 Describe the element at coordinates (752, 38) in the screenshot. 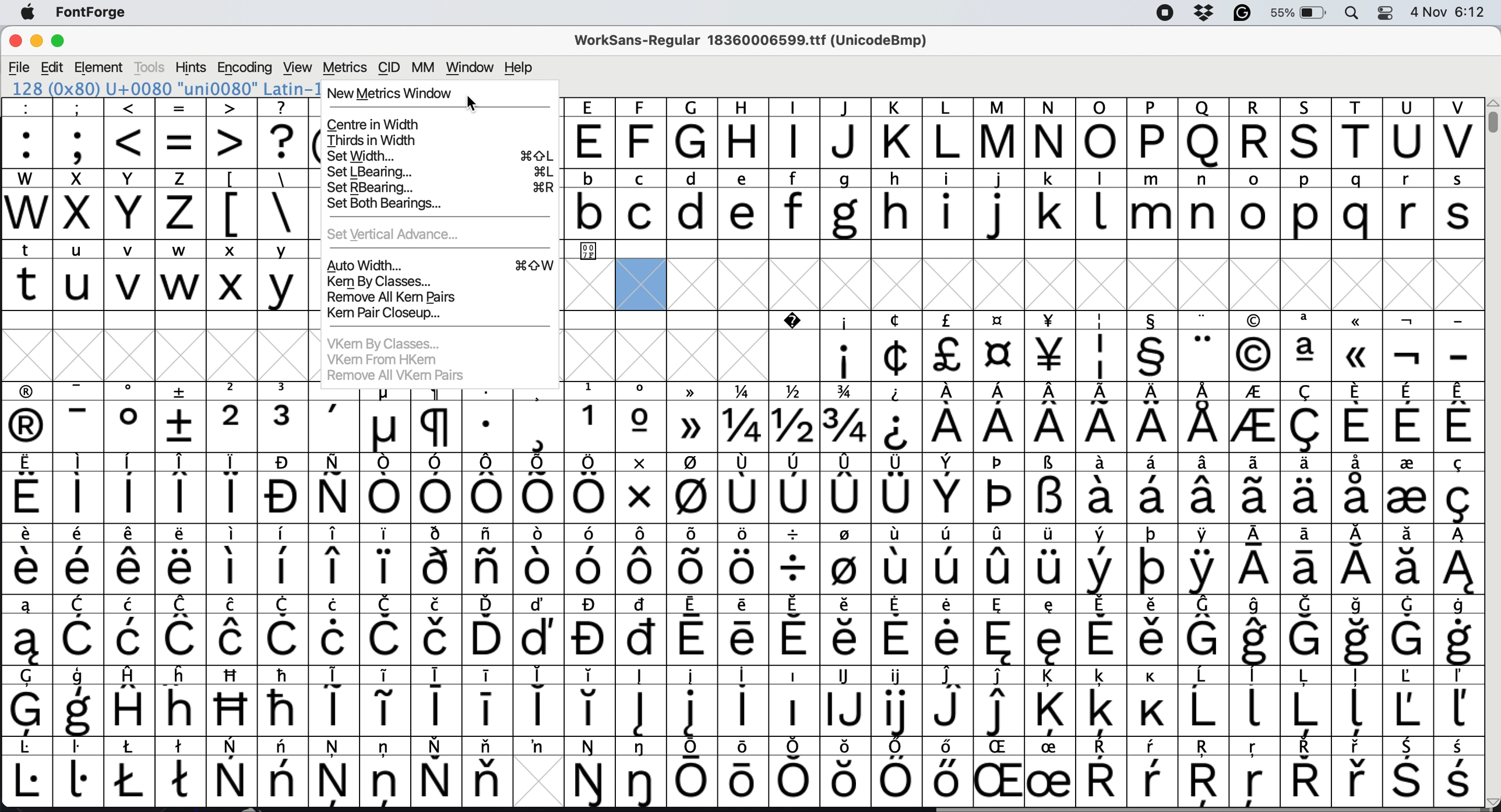

I see `WorkSans-Regular 18360006599.ttf (UnicodeBmp)` at that location.